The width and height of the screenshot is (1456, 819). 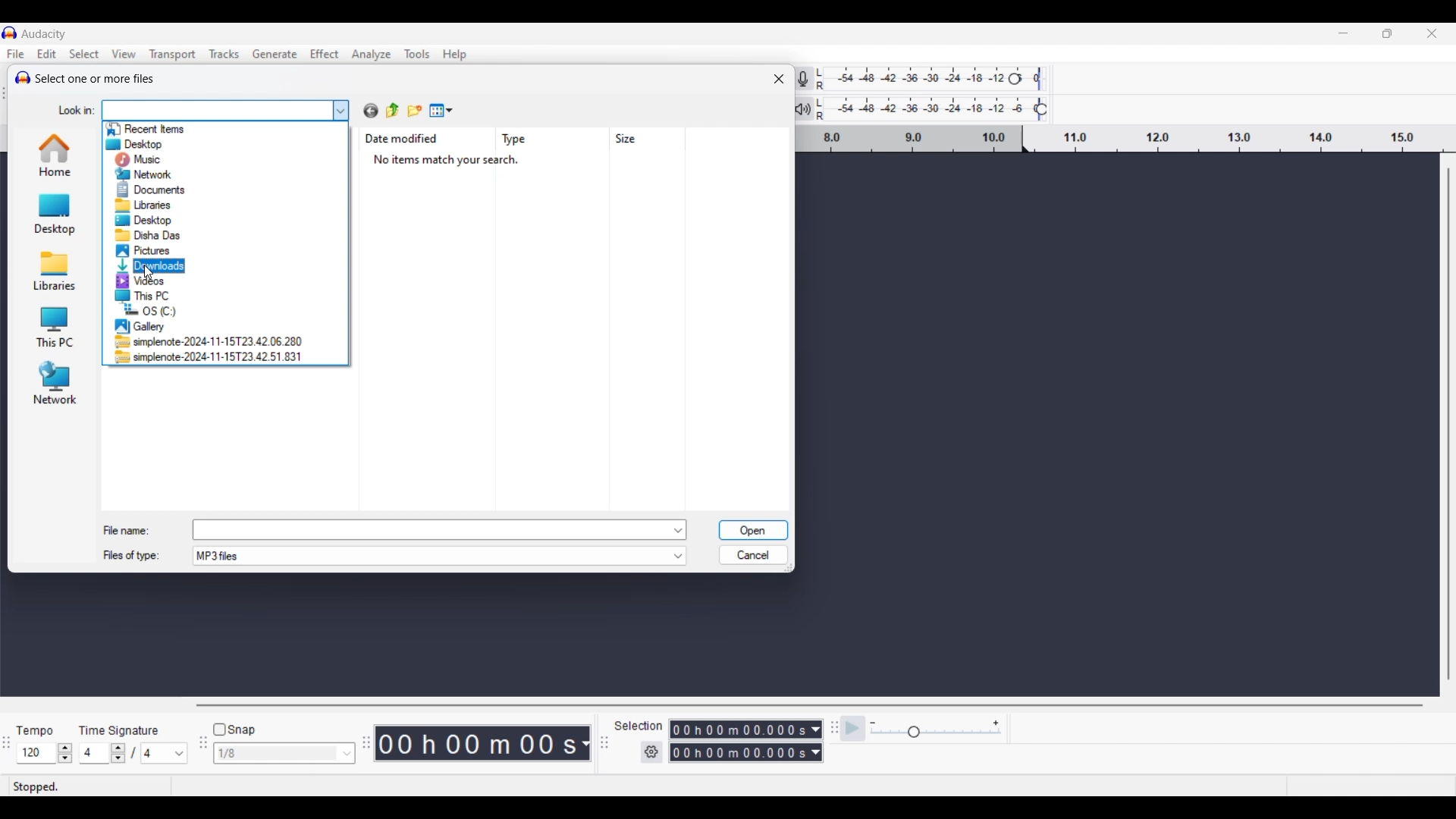 What do you see at coordinates (6, 744) in the screenshot?
I see `signature time tool bar` at bounding box center [6, 744].